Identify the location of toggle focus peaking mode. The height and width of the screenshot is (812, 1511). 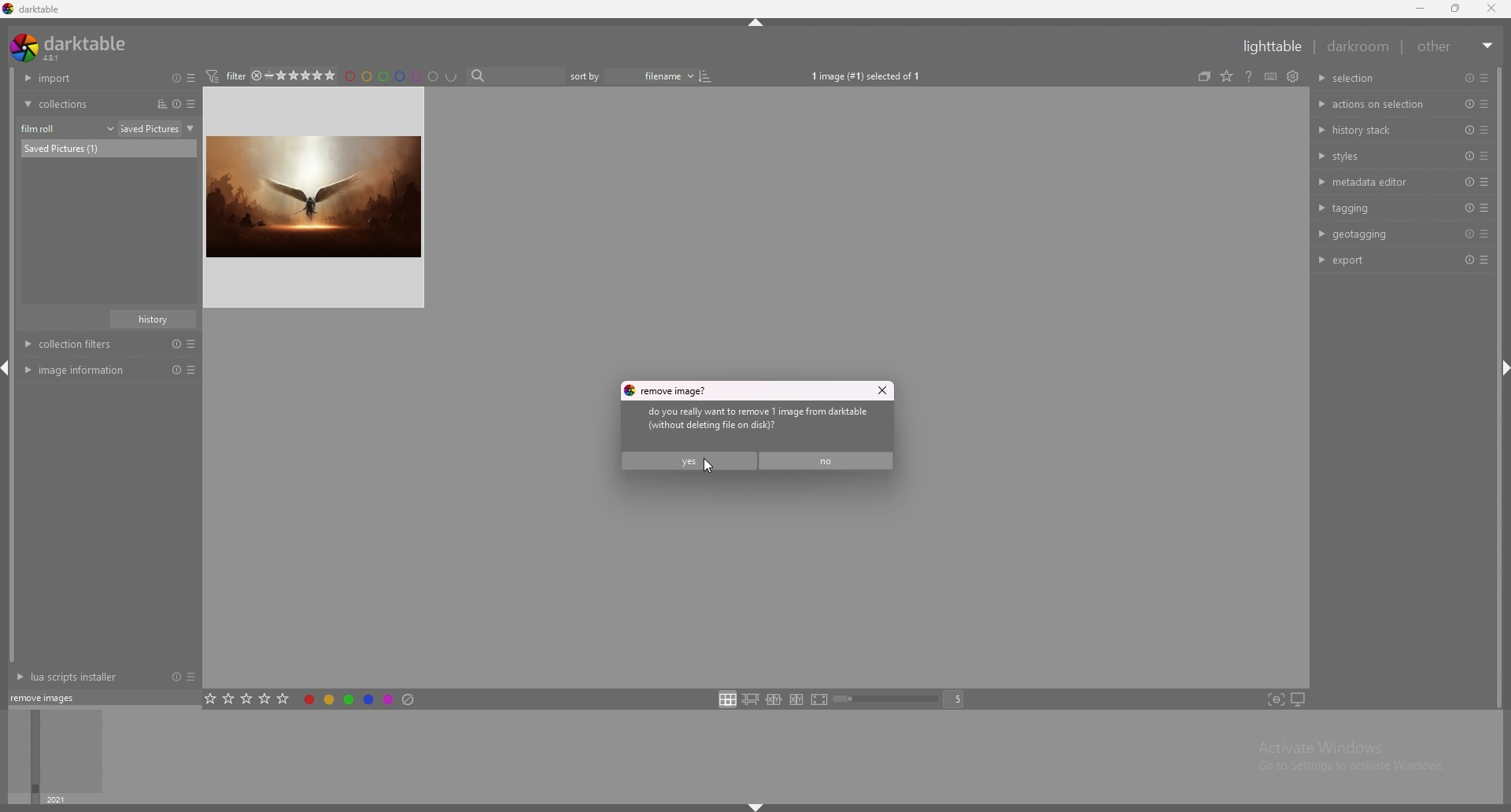
(1276, 699).